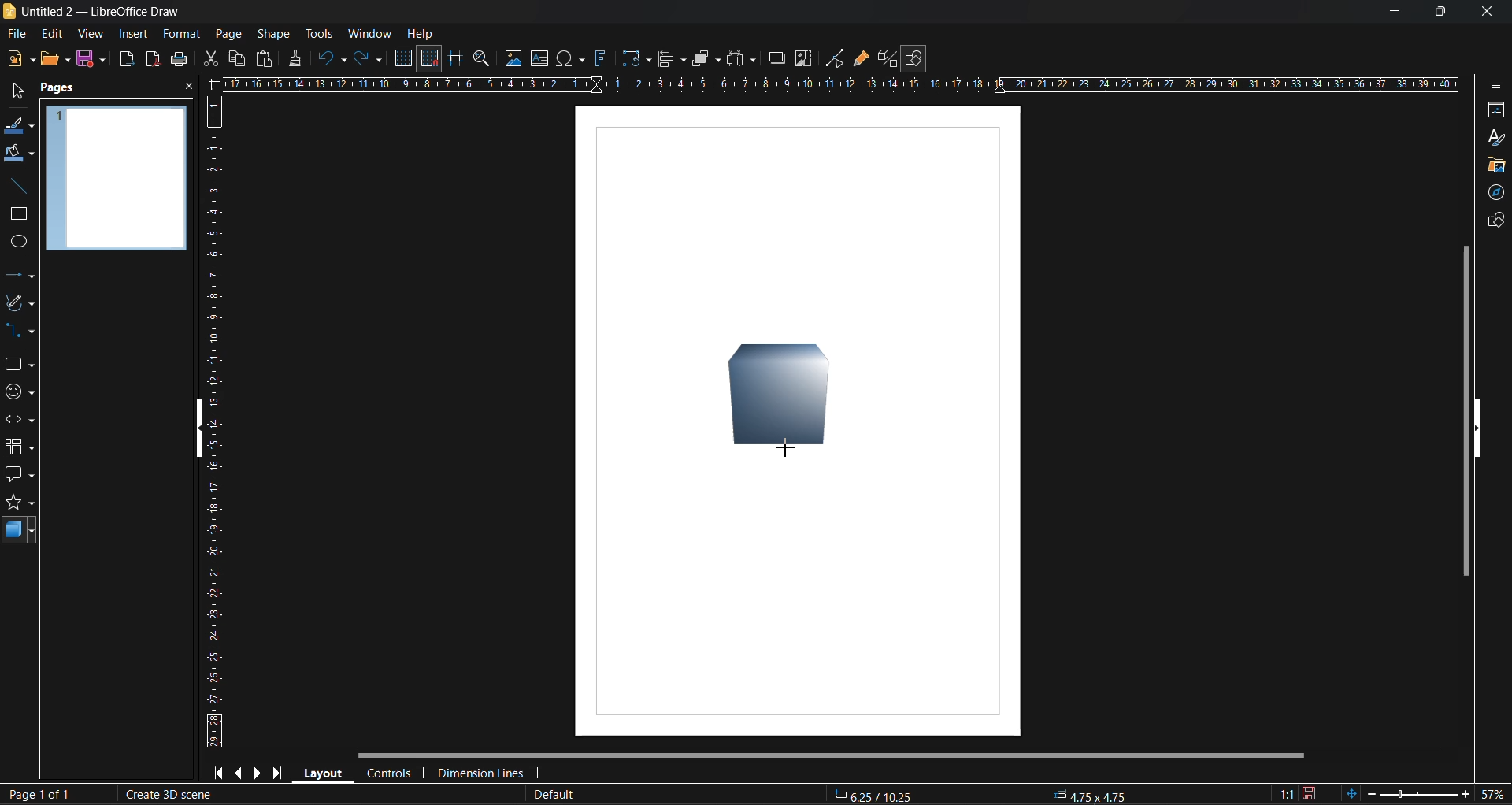 This screenshot has width=1512, height=805. What do you see at coordinates (1420, 793) in the screenshot?
I see `zoom slider` at bounding box center [1420, 793].